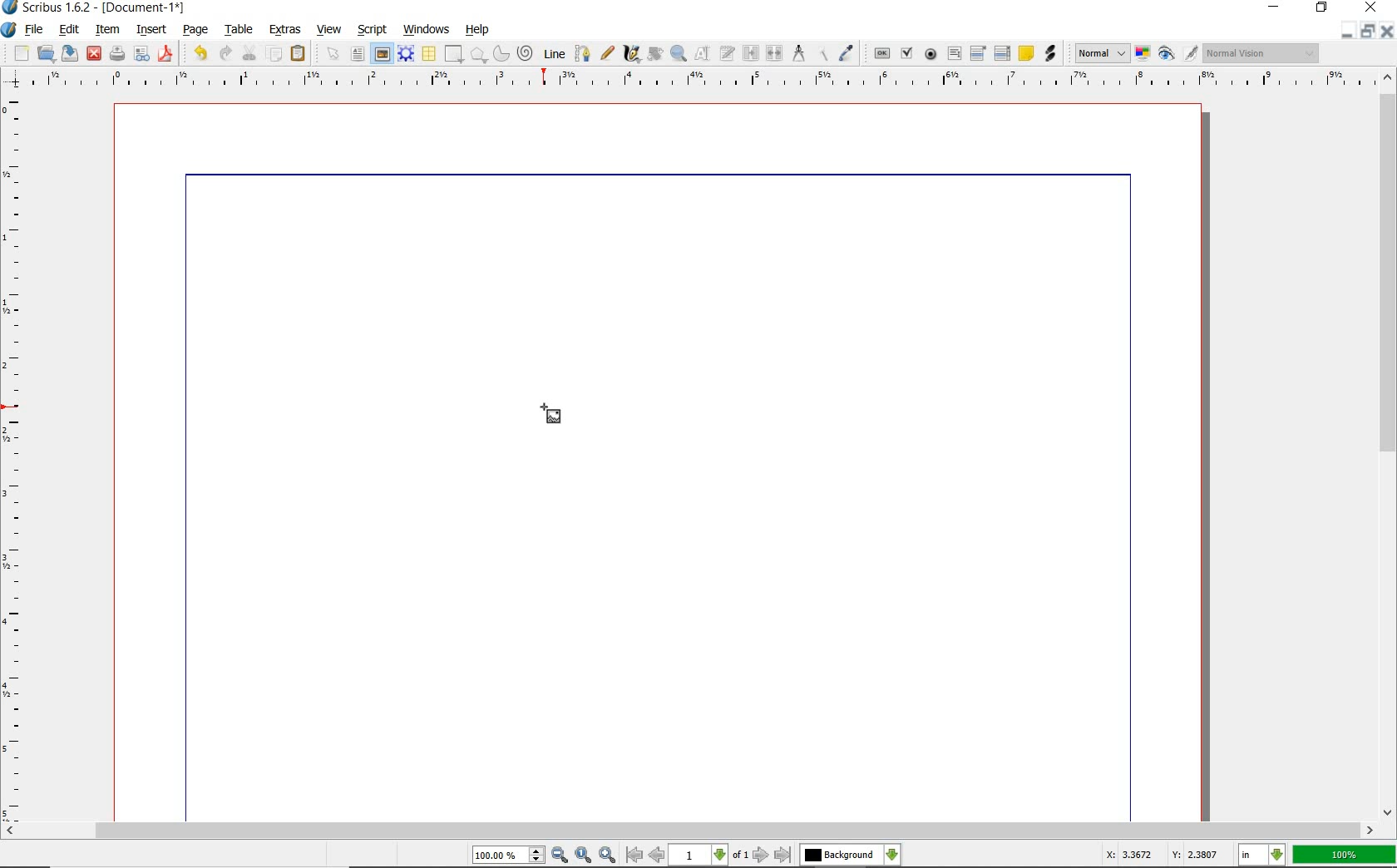 The width and height of the screenshot is (1397, 868). I want to click on select the current unit: in, so click(1261, 853).